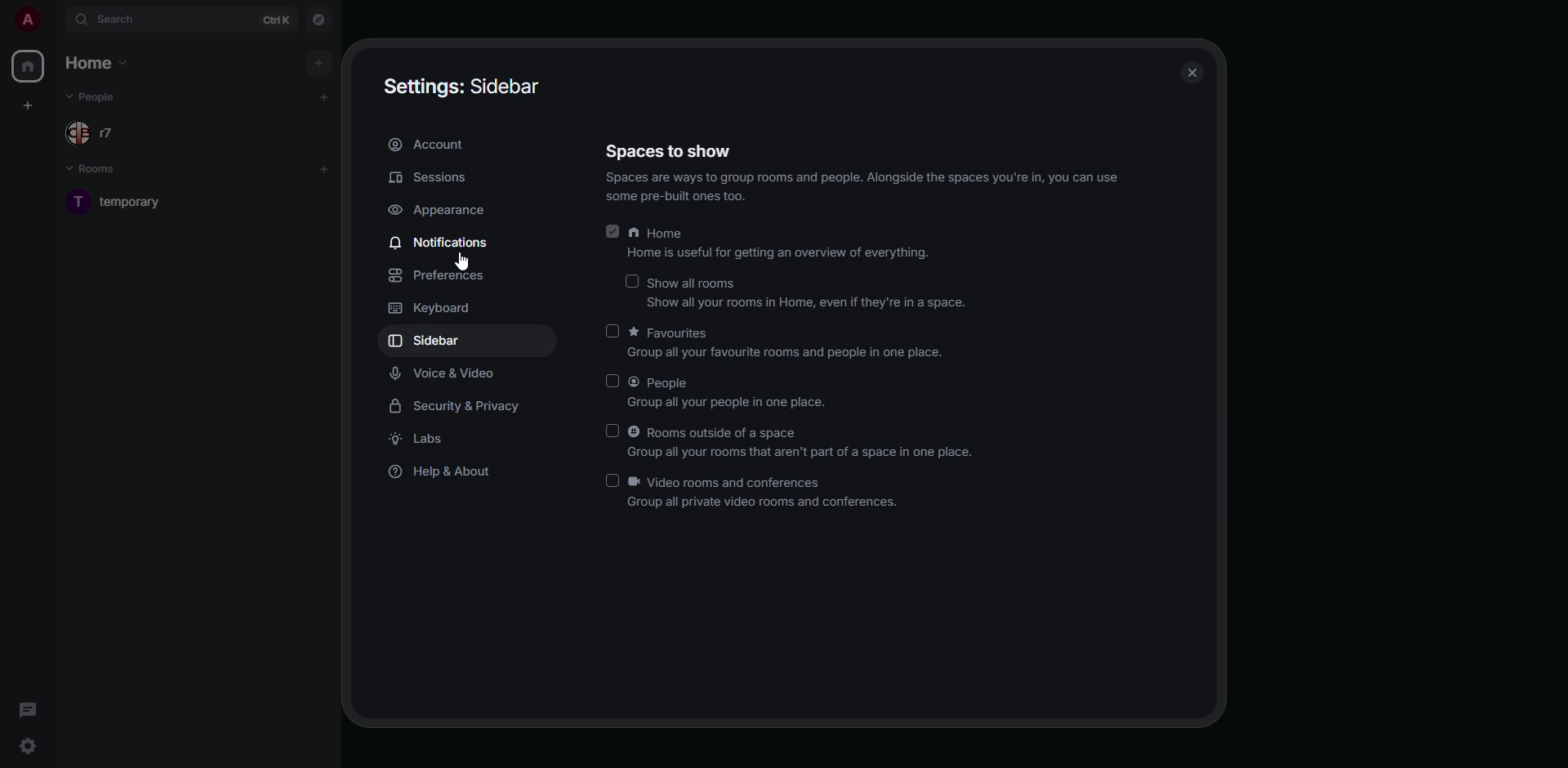 The height and width of the screenshot is (768, 1568). Describe the element at coordinates (766, 493) in the screenshot. I see `video rooms and conferences` at that location.